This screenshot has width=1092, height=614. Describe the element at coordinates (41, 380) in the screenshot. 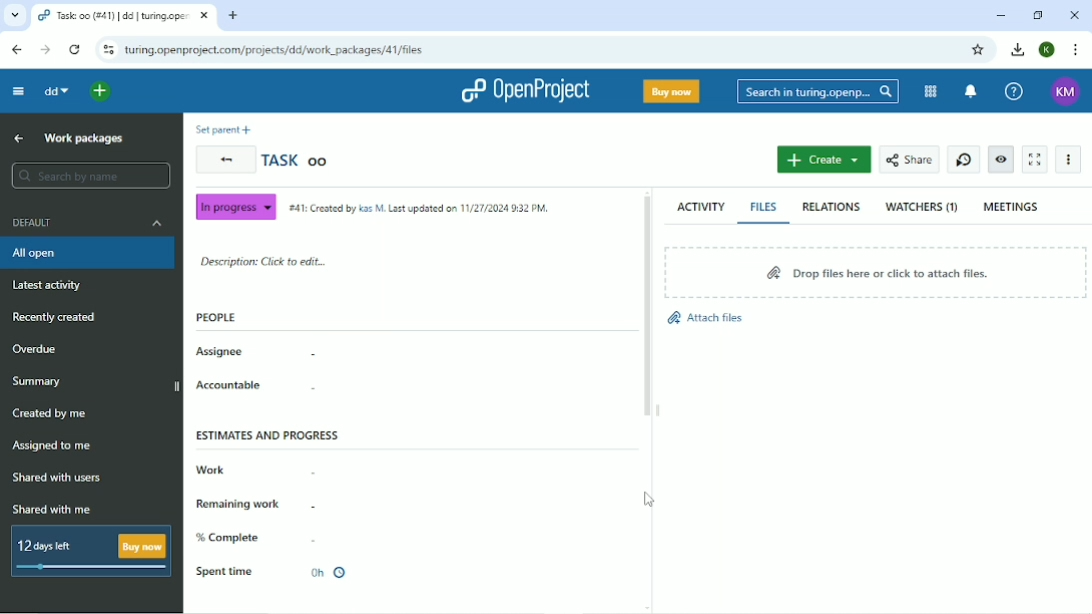

I see `Summary` at that location.